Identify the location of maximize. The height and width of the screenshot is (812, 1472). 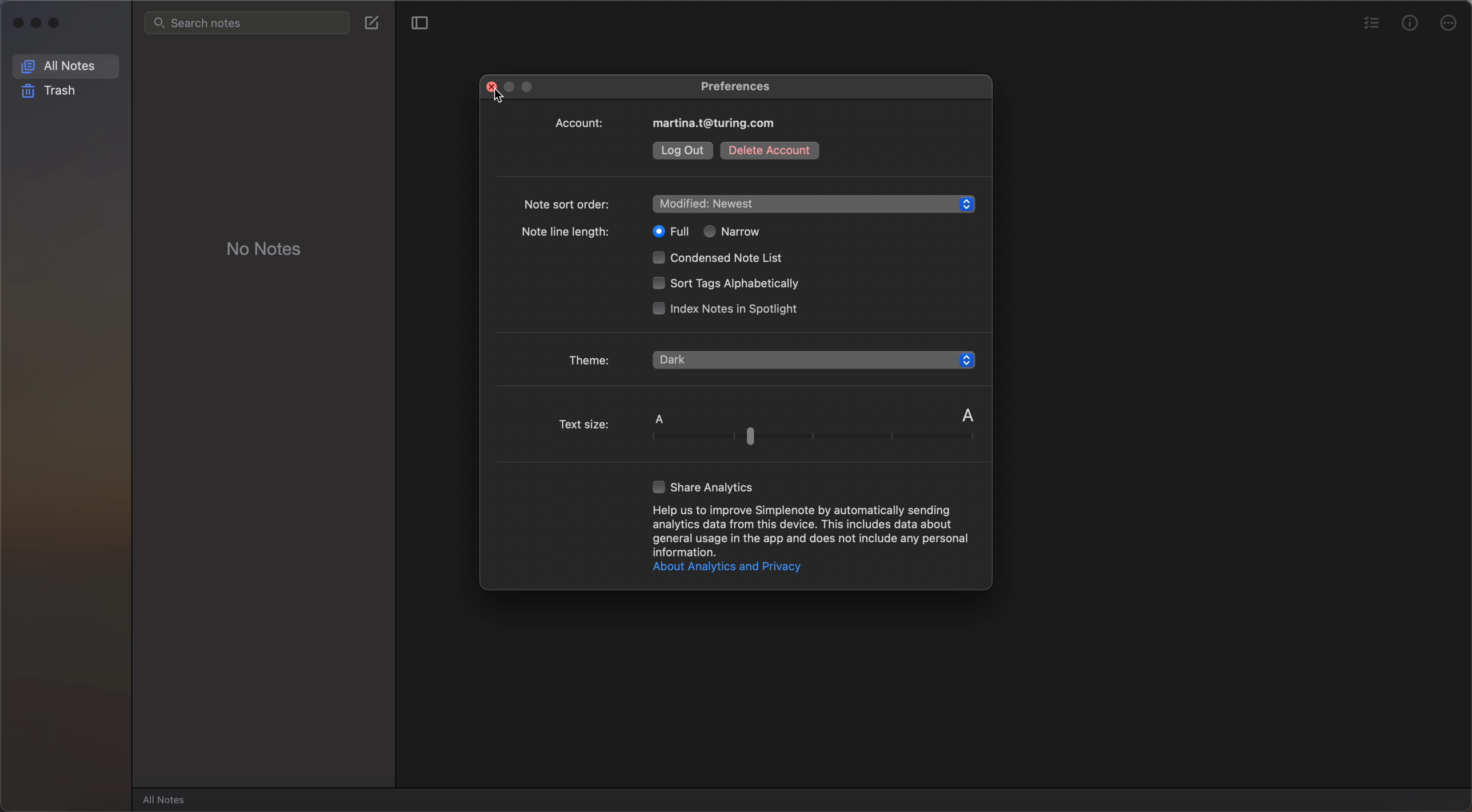
(58, 24).